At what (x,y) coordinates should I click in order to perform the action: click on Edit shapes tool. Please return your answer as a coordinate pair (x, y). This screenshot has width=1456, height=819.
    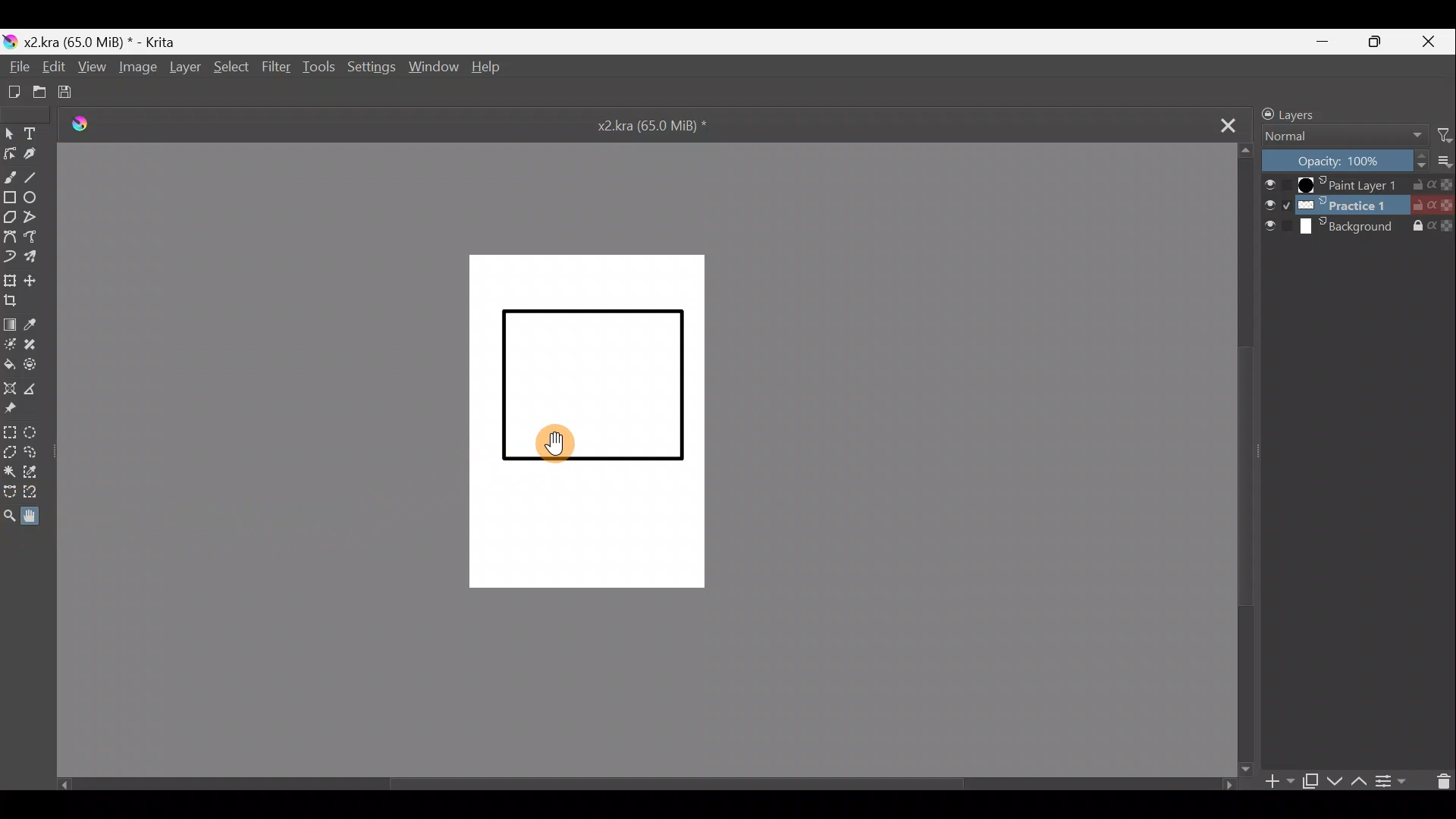
    Looking at the image, I should click on (9, 153).